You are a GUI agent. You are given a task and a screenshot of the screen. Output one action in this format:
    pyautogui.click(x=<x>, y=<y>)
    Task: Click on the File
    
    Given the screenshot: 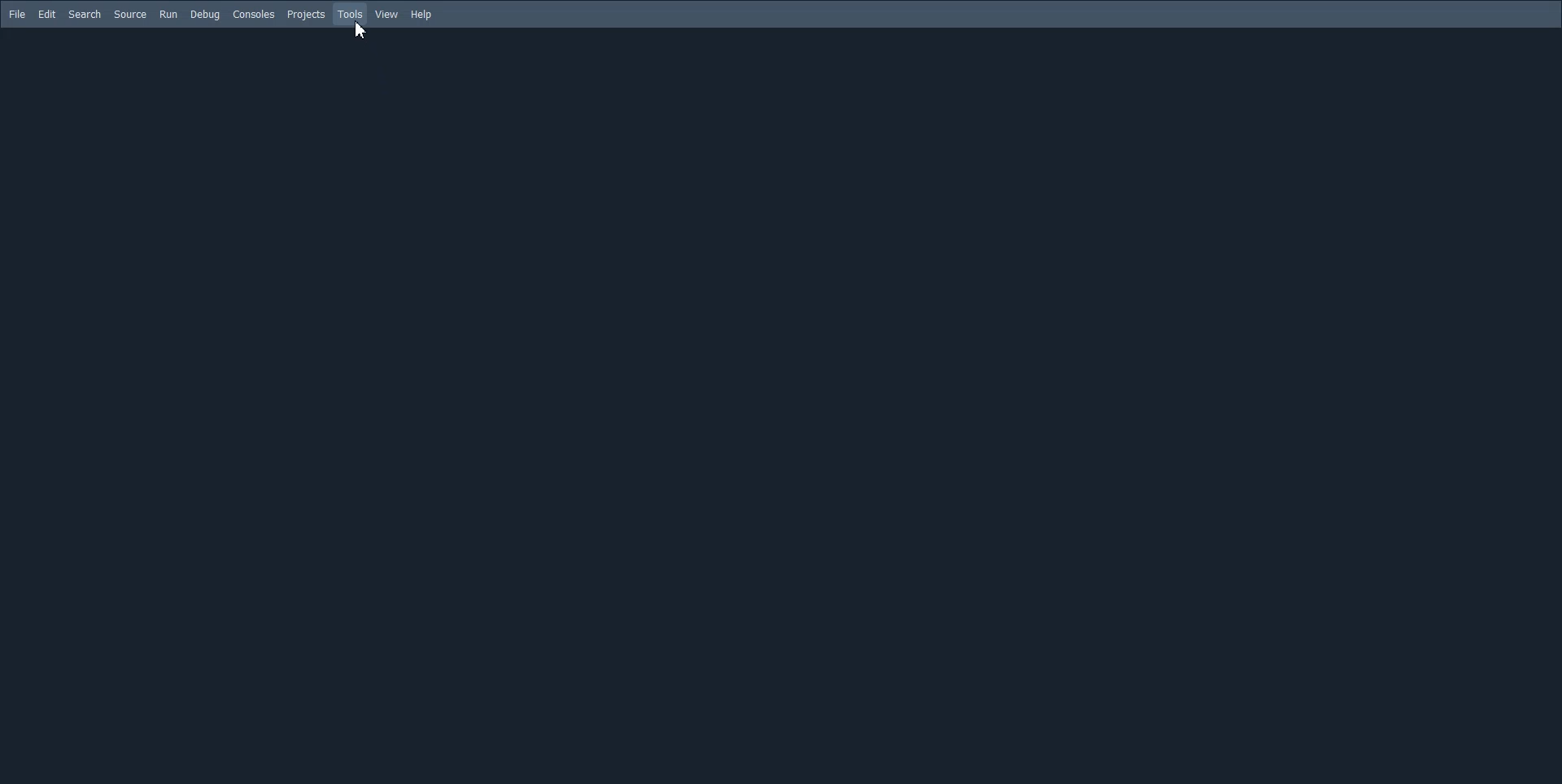 What is the action you would take?
    pyautogui.click(x=17, y=14)
    